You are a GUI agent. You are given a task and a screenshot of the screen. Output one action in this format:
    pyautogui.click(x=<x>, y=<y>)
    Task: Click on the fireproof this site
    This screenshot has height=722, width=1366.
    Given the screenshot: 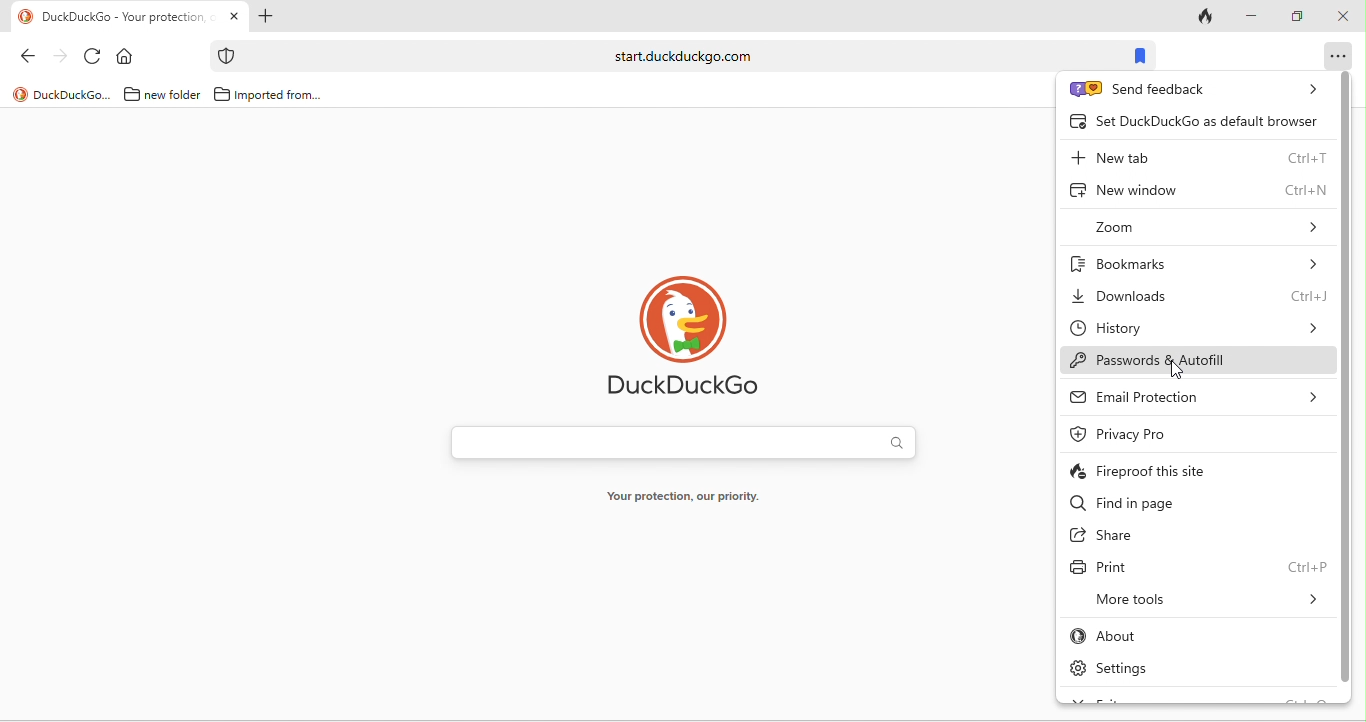 What is the action you would take?
    pyautogui.click(x=1154, y=470)
    